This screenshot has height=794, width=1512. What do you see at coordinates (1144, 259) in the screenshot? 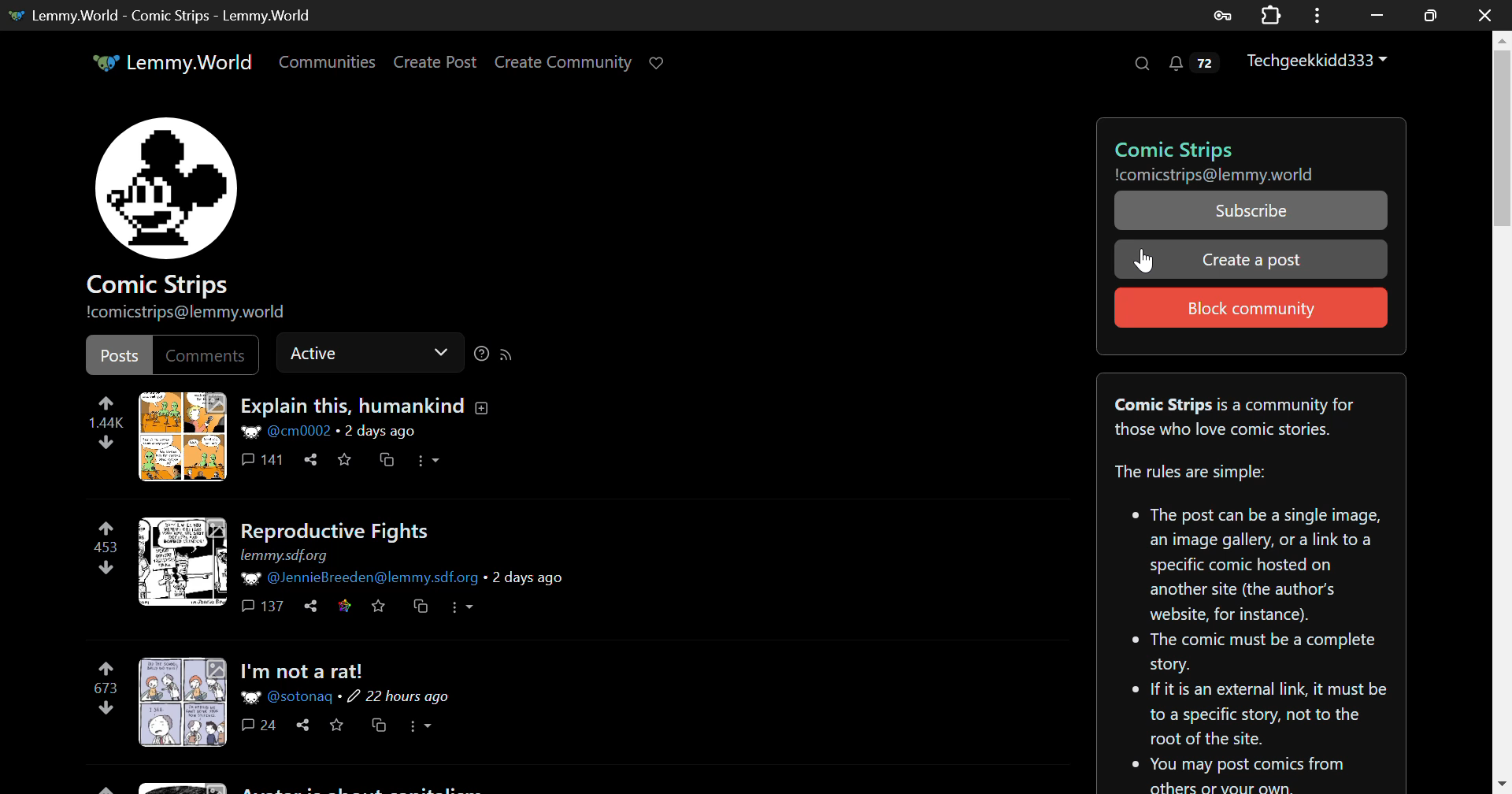
I see `Cursor Position` at bounding box center [1144, 259].